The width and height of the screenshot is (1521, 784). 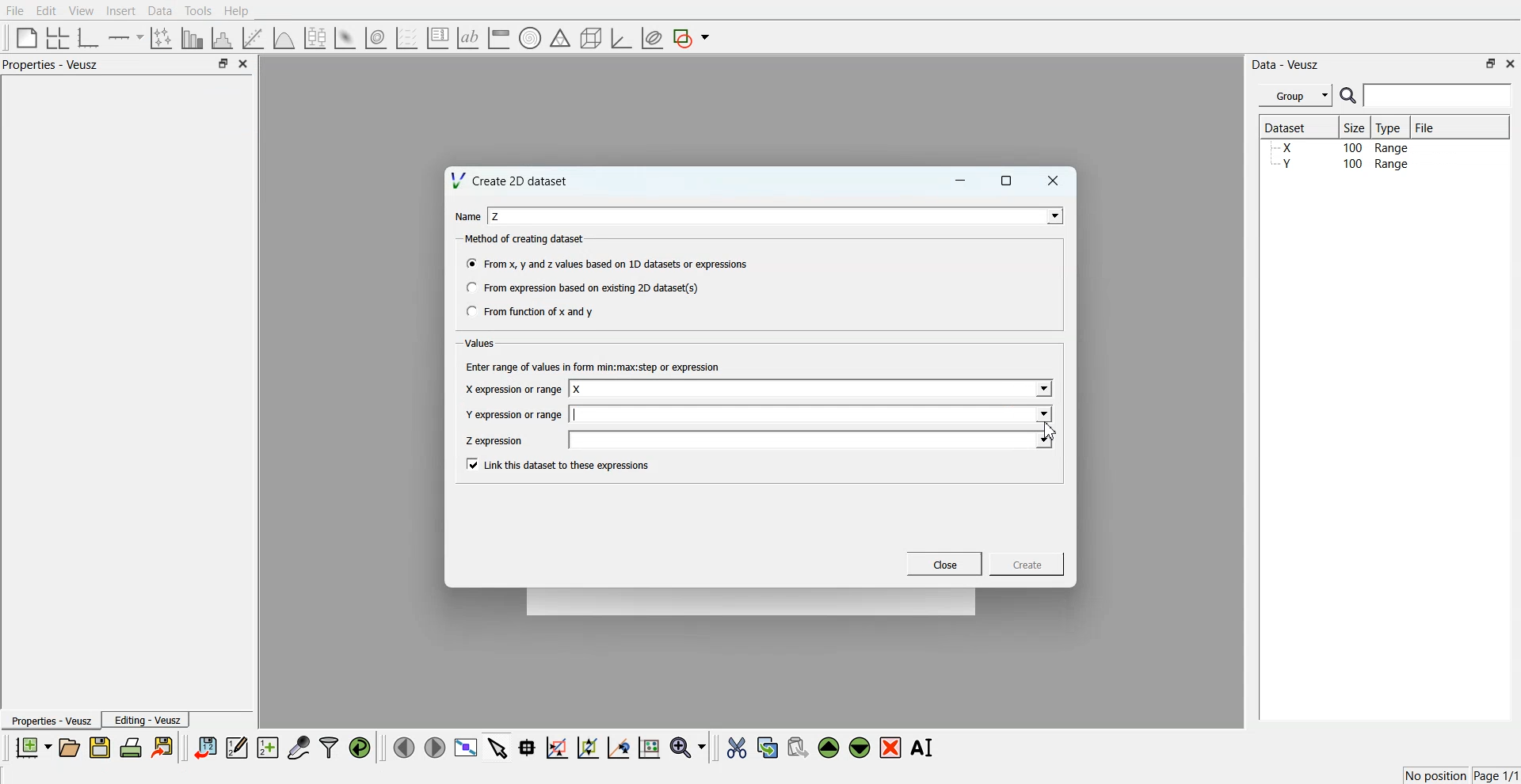 I want to click on 3D Function, so click(x=284, y=38).